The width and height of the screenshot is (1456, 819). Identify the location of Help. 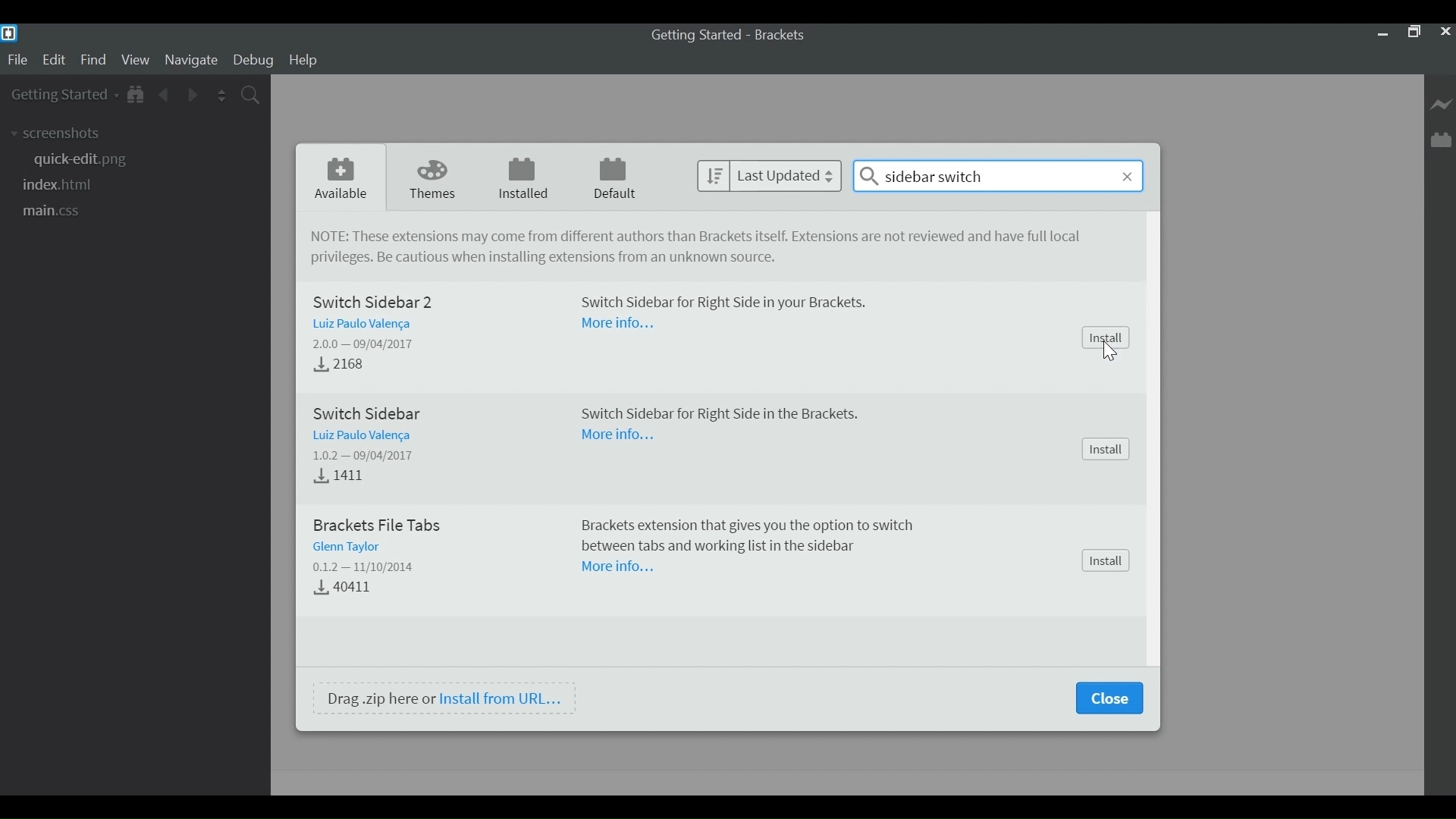
(304, 61).